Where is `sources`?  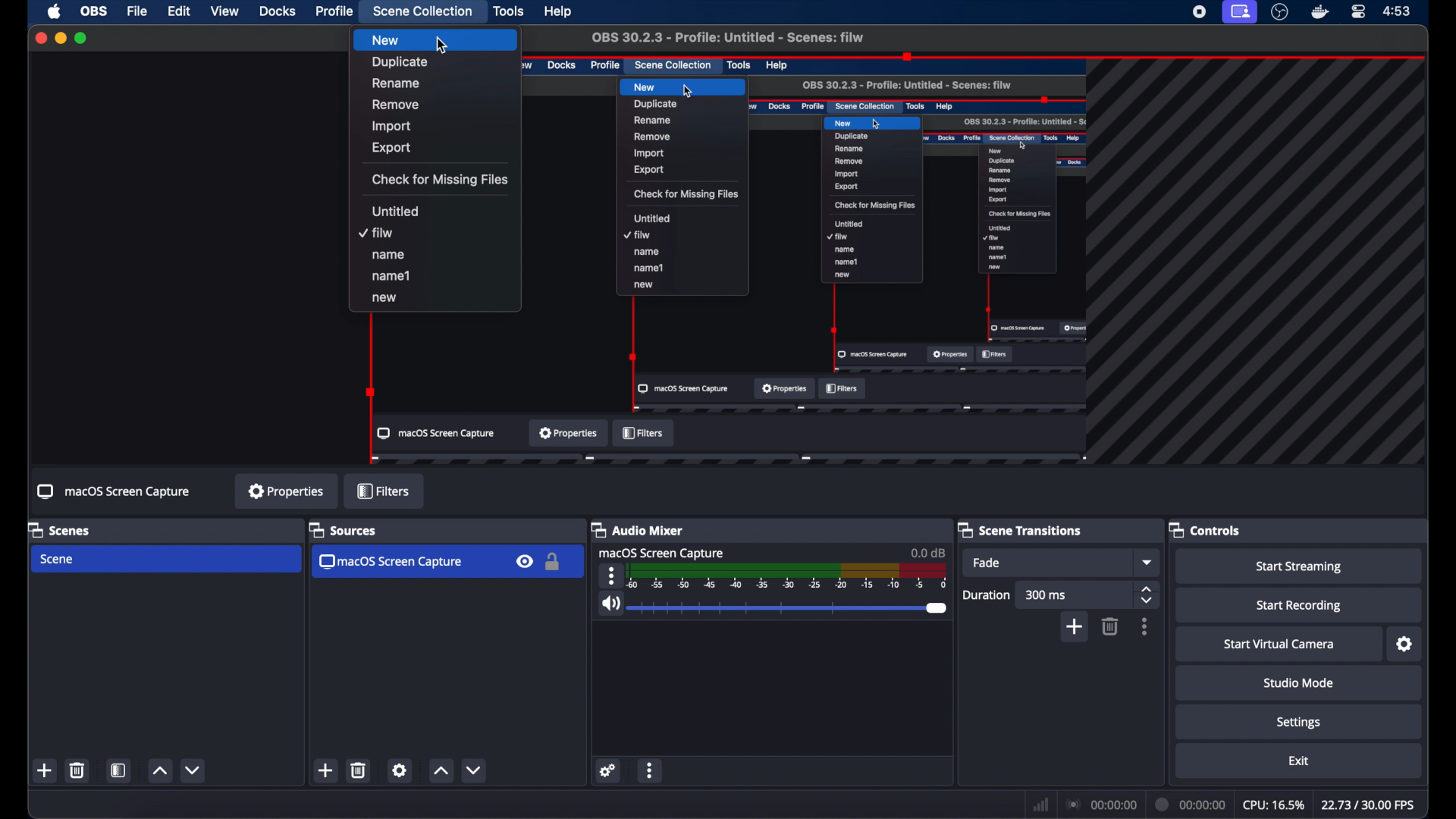 sources is located at coordinates (343, 531).